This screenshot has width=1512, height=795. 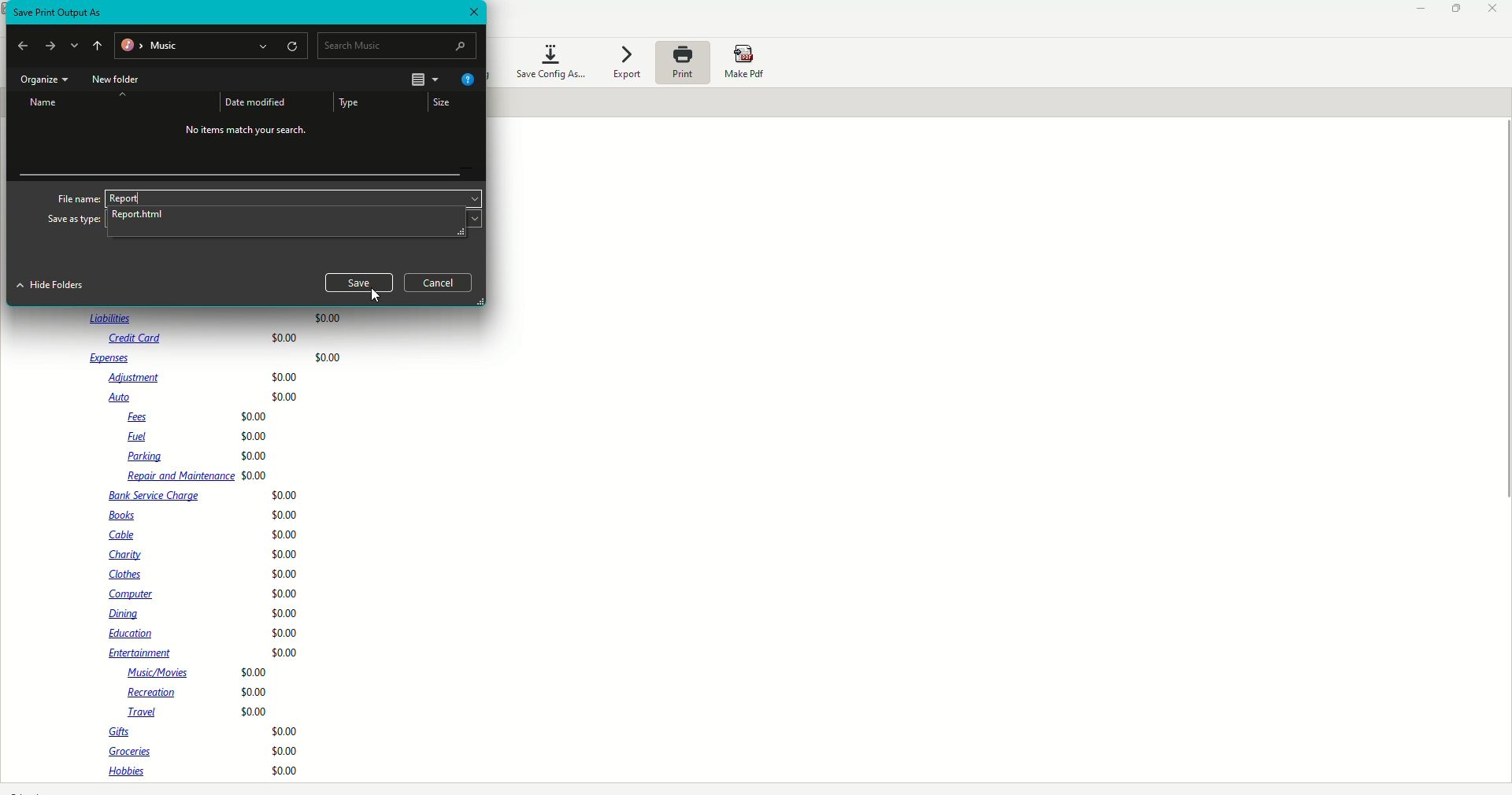 I want to click on Minimize, so click(x=1417, y=10).